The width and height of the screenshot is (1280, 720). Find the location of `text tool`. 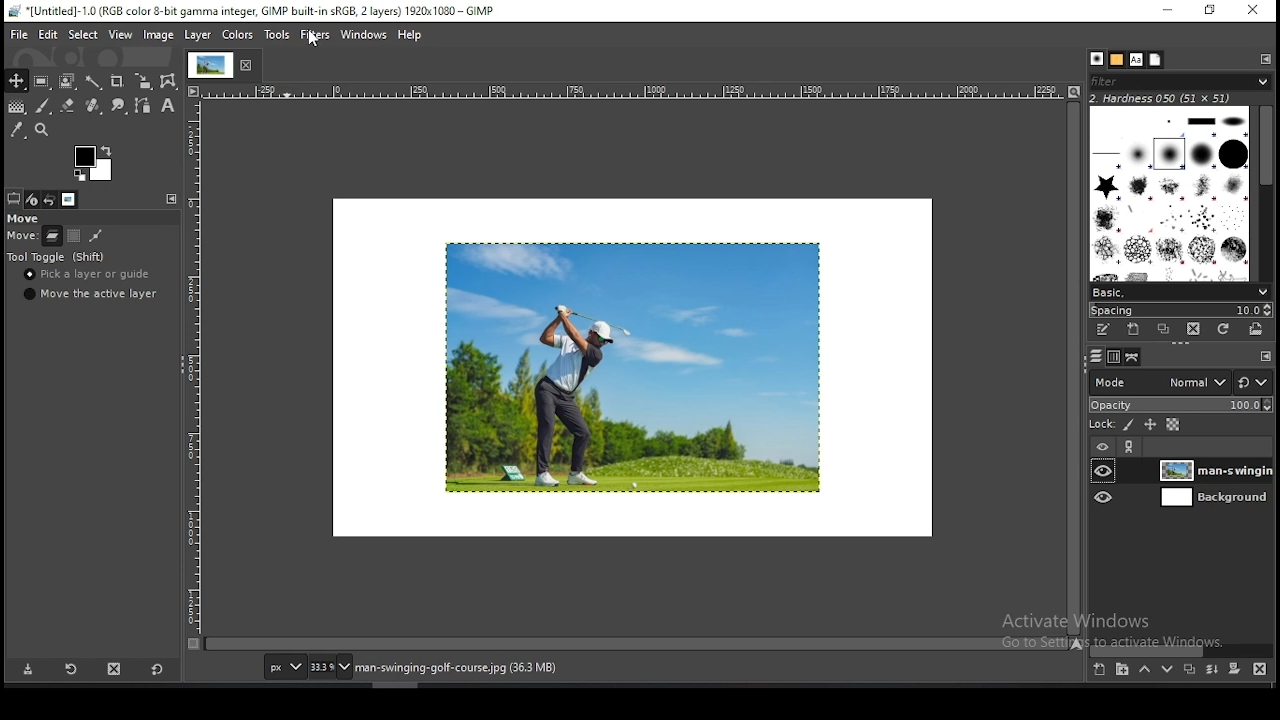

text tool is located at coordinates (169, 106).